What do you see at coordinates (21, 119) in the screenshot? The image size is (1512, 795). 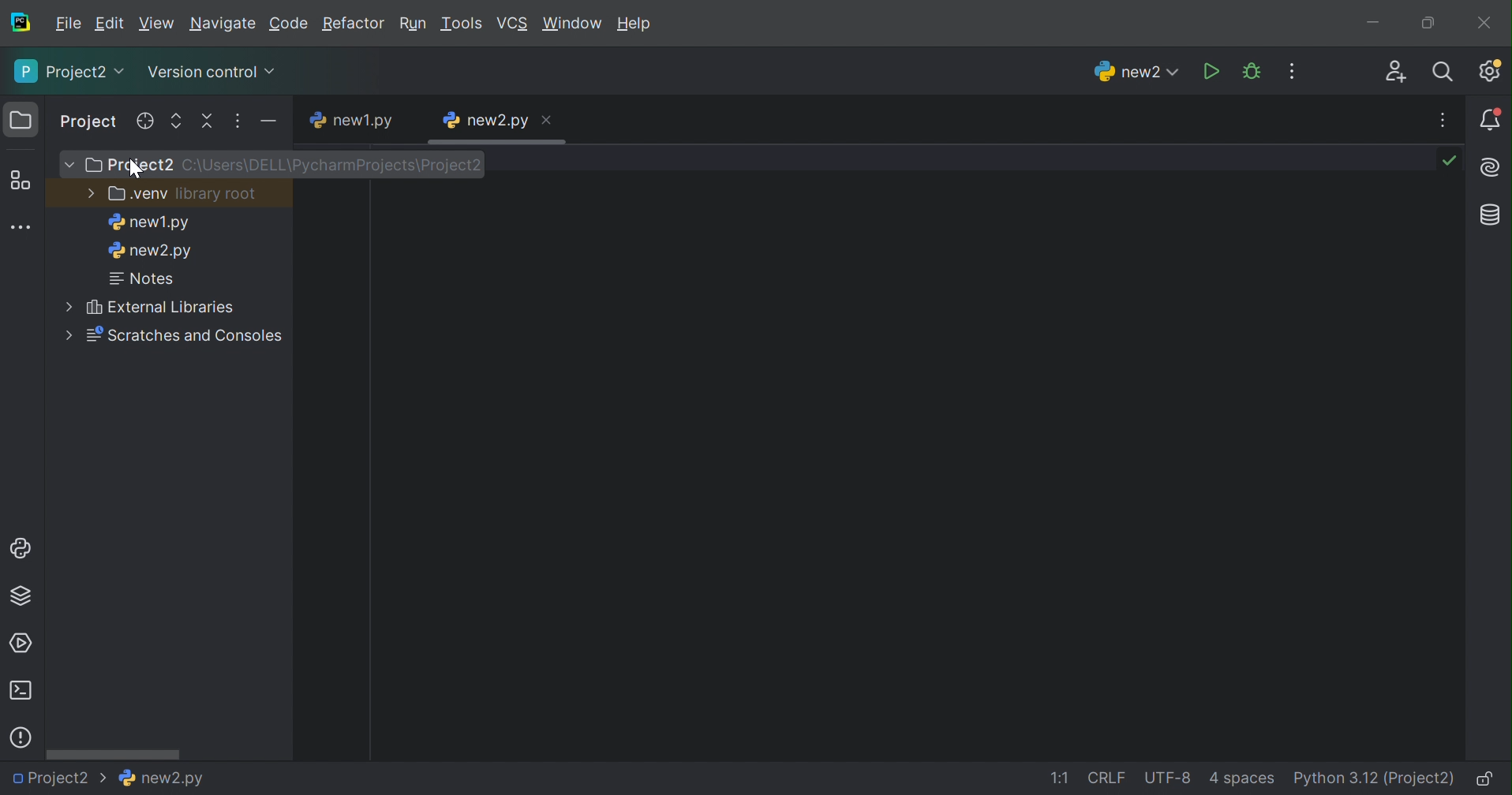 I see `Folder icon` at bounding box center [21, 119].